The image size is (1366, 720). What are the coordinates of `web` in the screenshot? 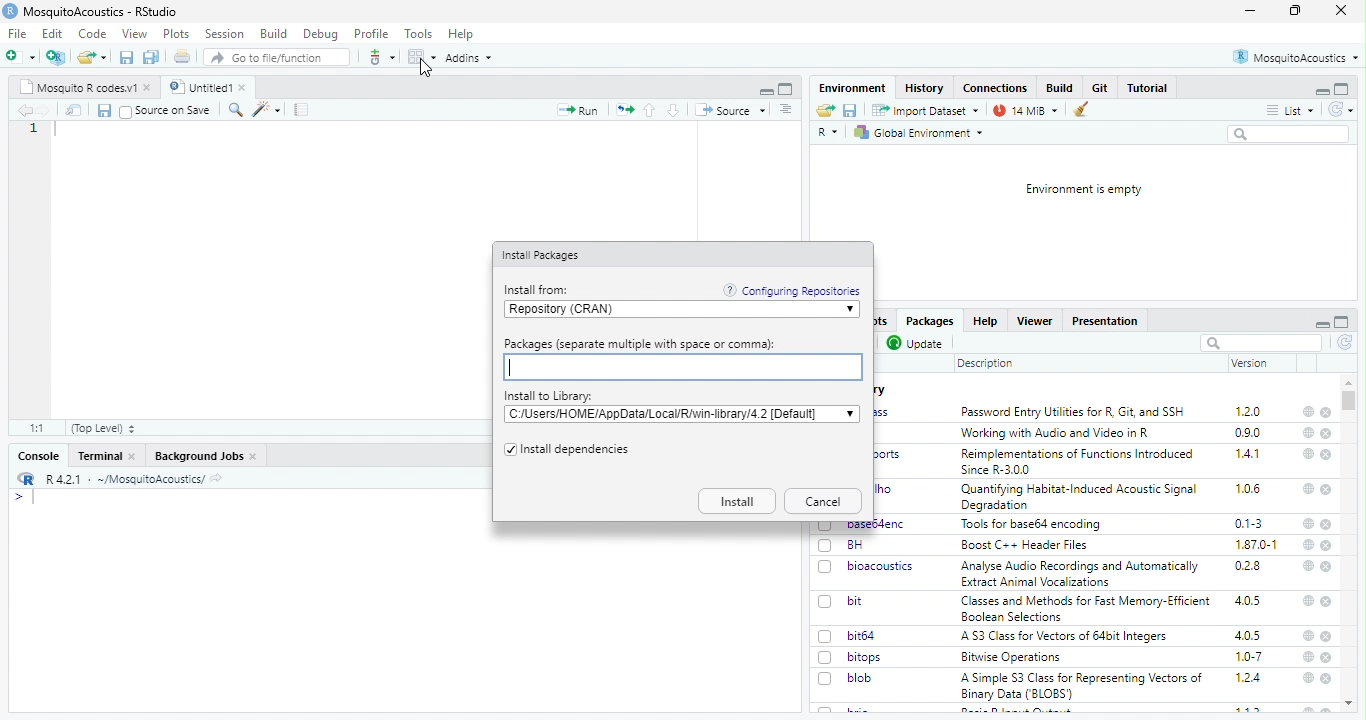 It's located at (1309, 636).